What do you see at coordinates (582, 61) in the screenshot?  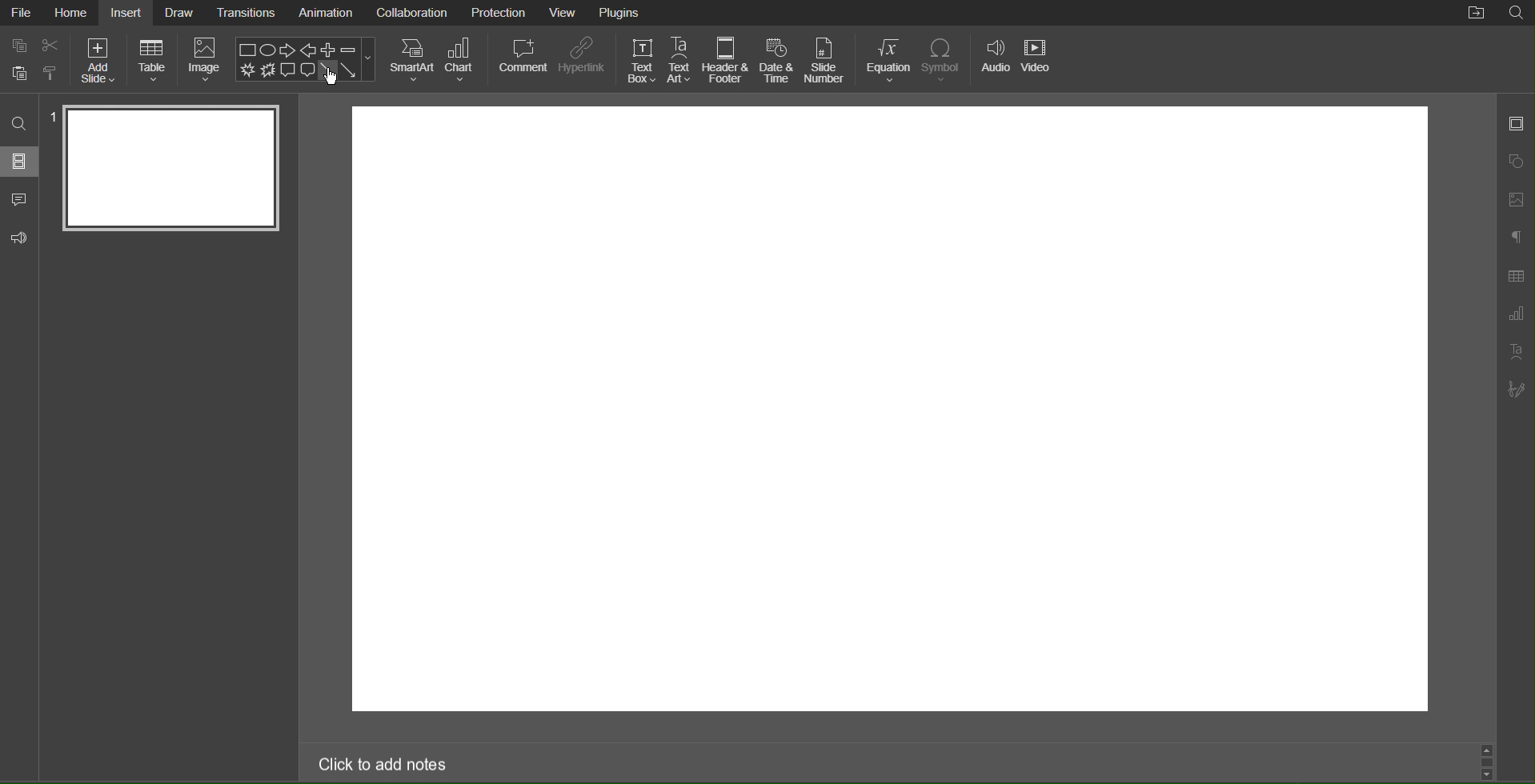 I see `Hyperlink` at bounding box center [582, 61].